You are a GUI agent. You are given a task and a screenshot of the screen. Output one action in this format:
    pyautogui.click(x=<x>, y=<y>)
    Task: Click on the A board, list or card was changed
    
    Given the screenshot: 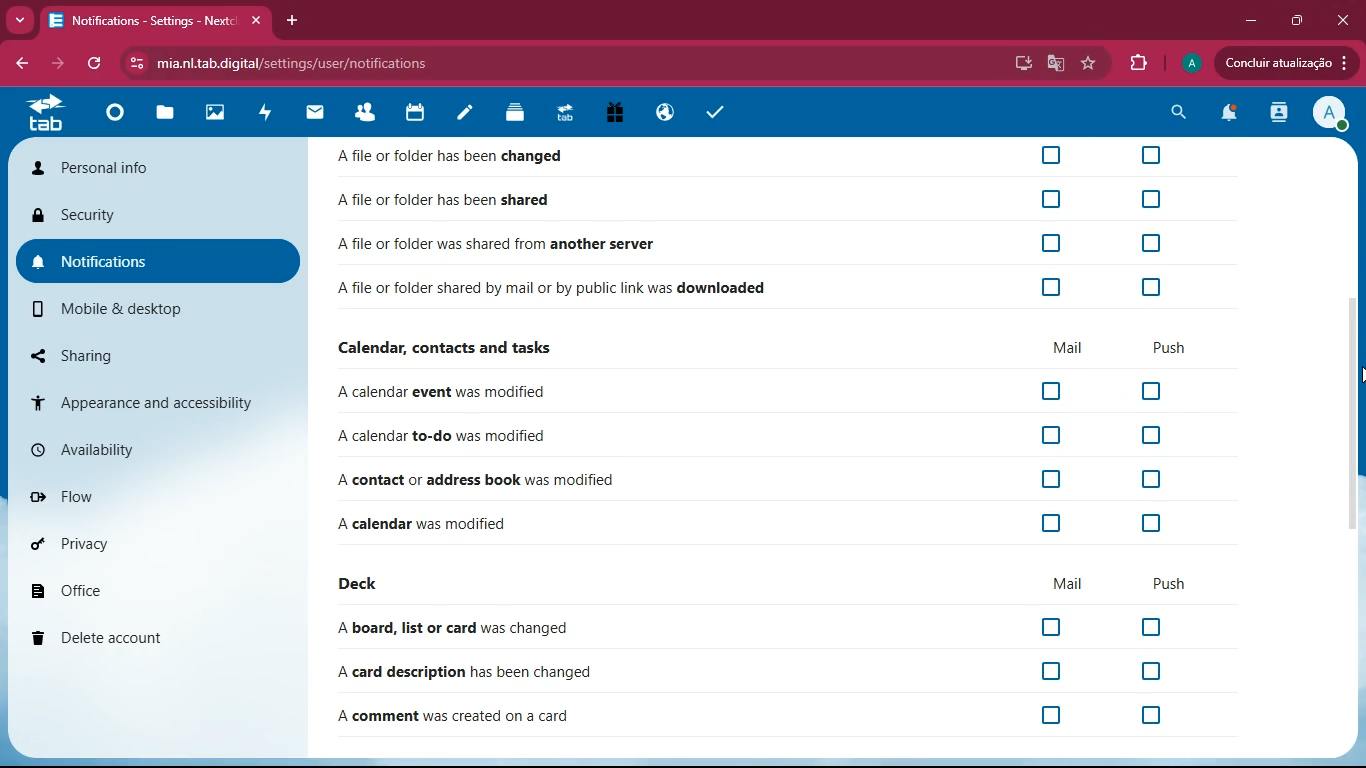 What is the action you would take?
    pyautogui.click(x=453, y=629)
    